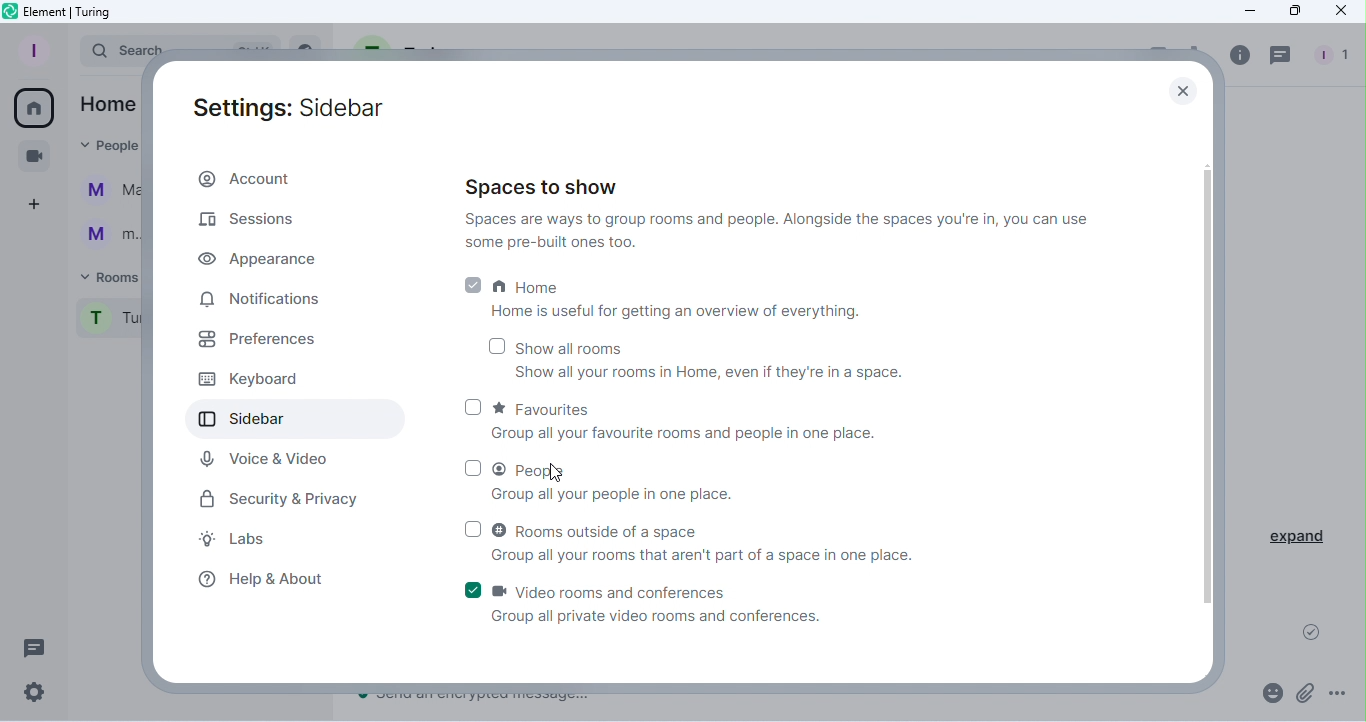 The height and width of the screenshot is (722, 1366). Describe the element at coordinates (106, 277) in the screenshot. I see `Rooms` at that location.